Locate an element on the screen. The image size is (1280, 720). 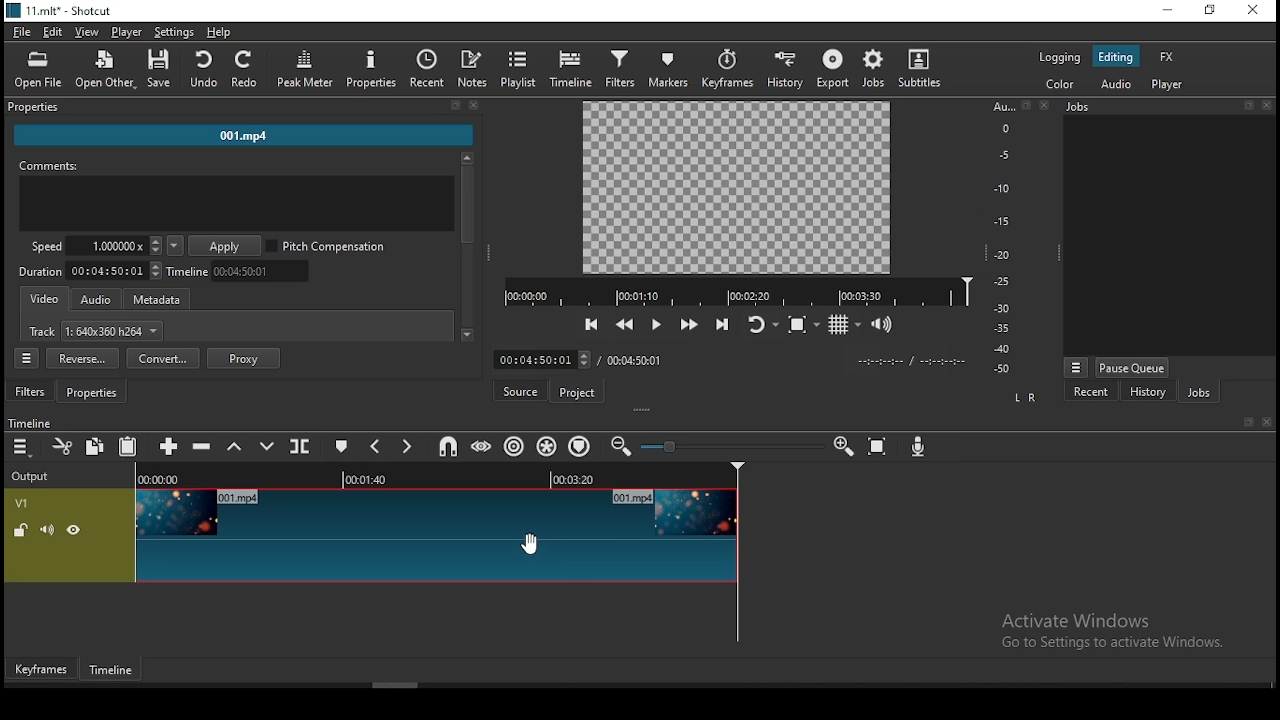
recent is located at coordinates (426, 67).